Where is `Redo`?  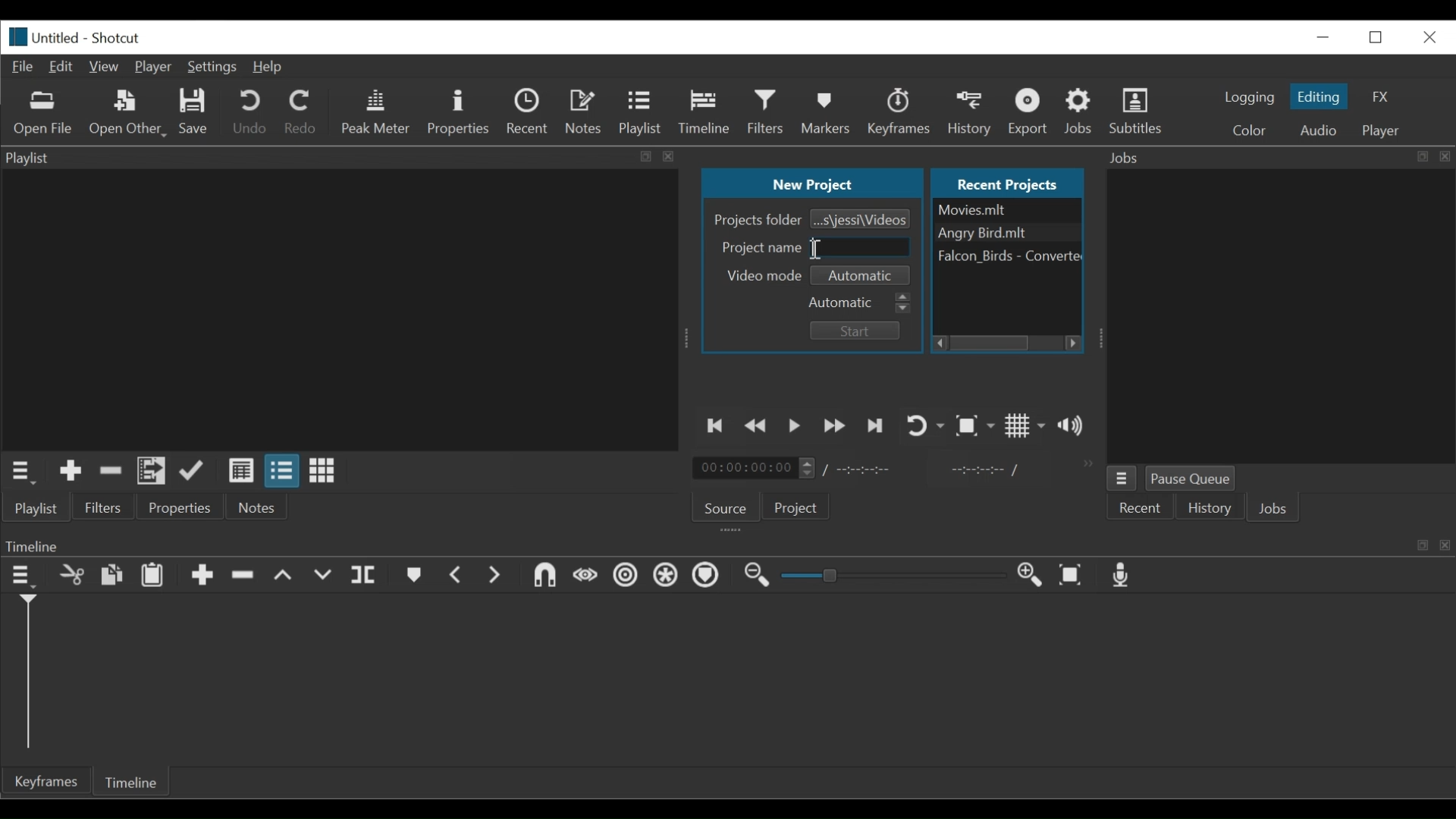
Redo is located at coordinates (304, 112).